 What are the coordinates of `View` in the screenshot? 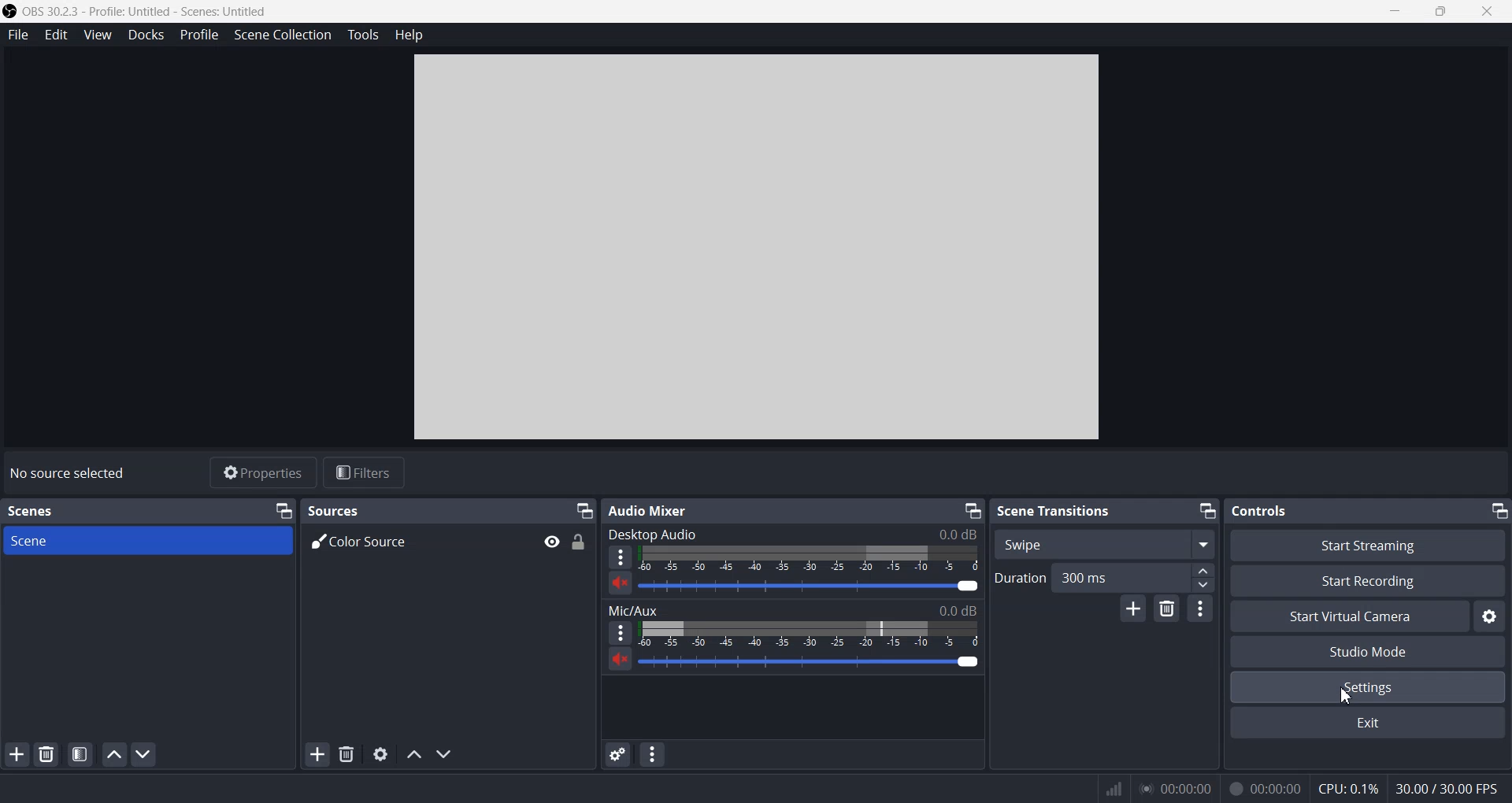 It's located at (97, 34).